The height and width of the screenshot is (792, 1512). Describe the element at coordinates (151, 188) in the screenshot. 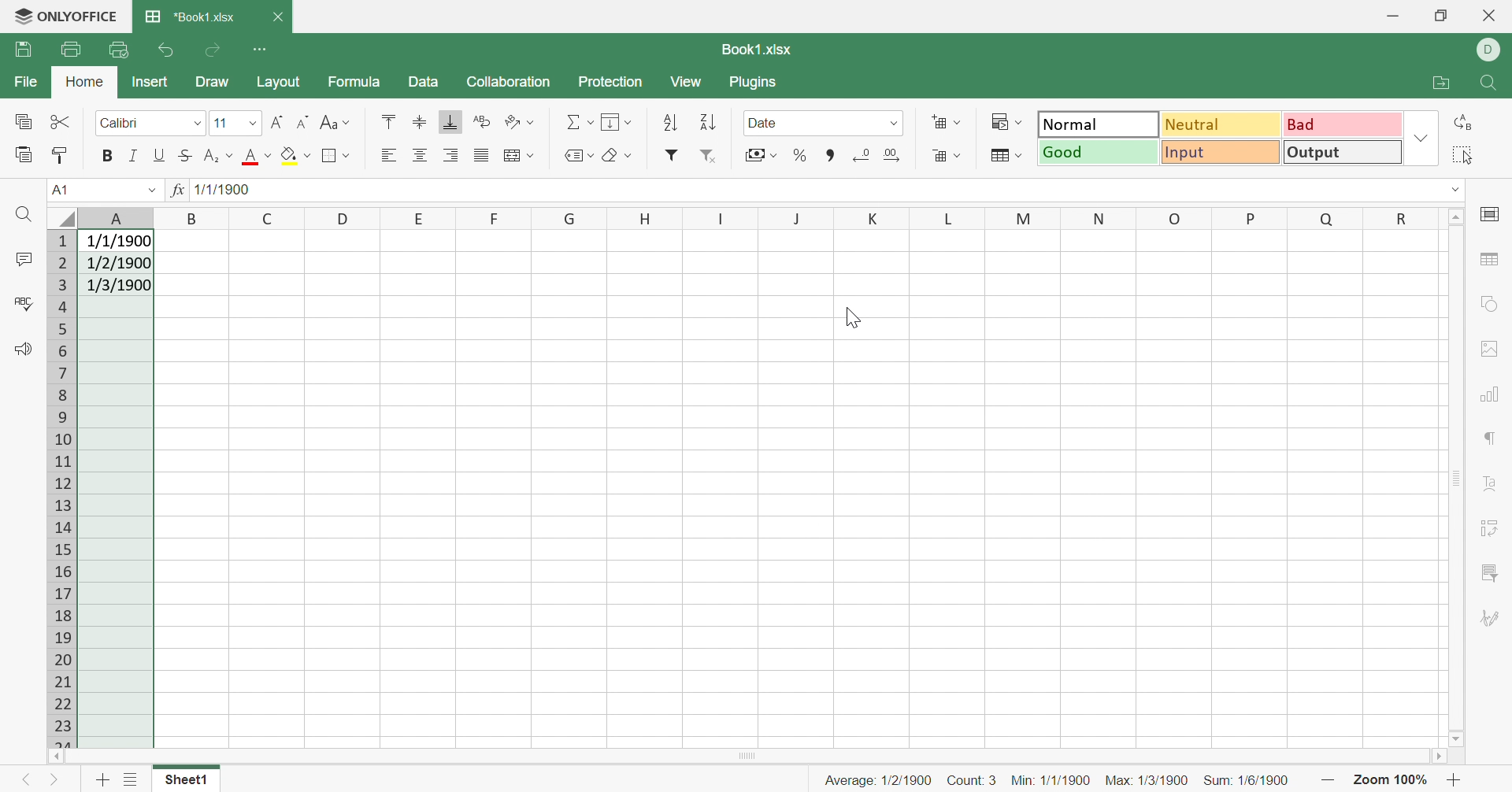

I see `Drop down` at that location.